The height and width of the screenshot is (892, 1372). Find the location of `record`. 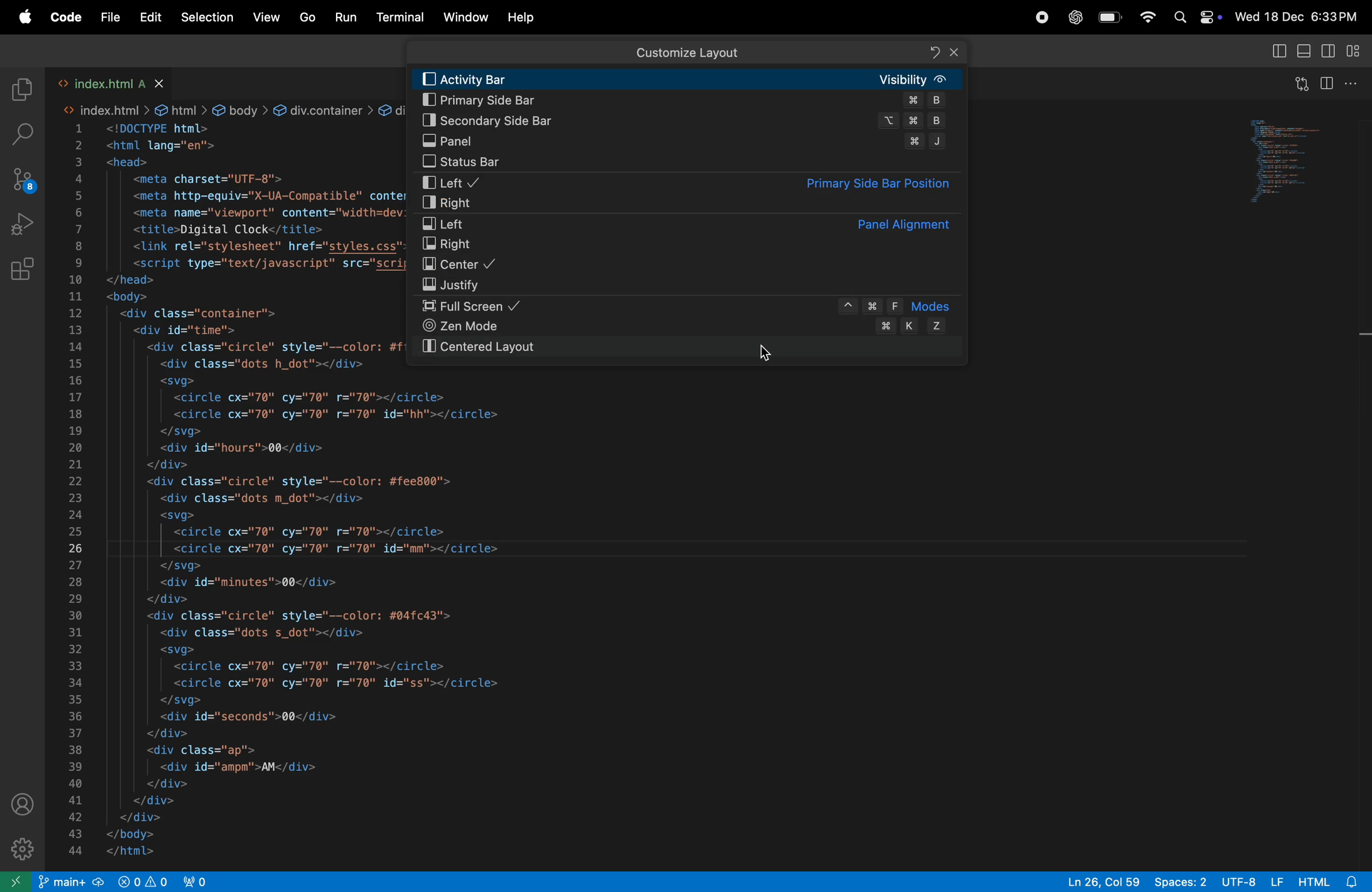

record is located at coordinates (1035, 18).